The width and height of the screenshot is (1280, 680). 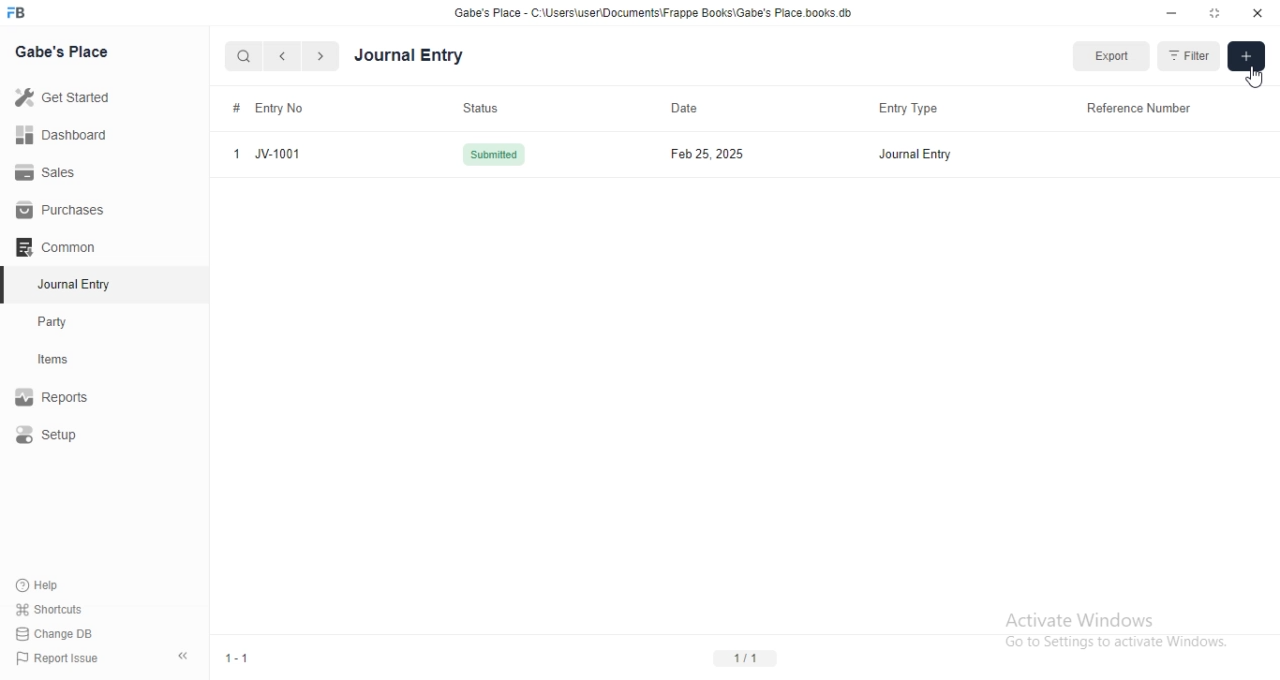 What do you see at coordinates (918, 154) in the screenshot?
I see `Journal Entry` at bounding box center [918, 154].